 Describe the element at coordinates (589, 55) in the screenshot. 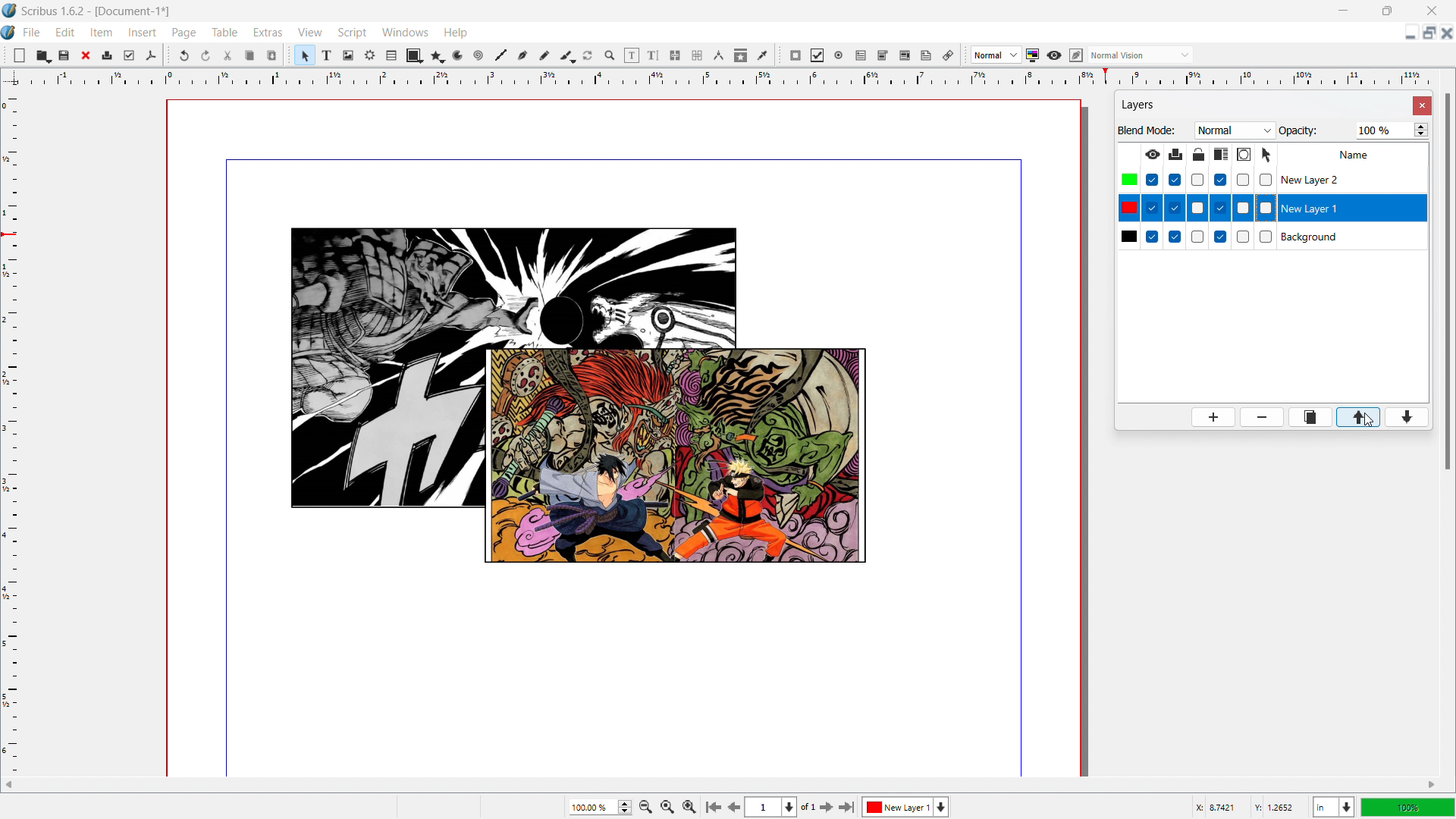

I see `rotate item` at that location.